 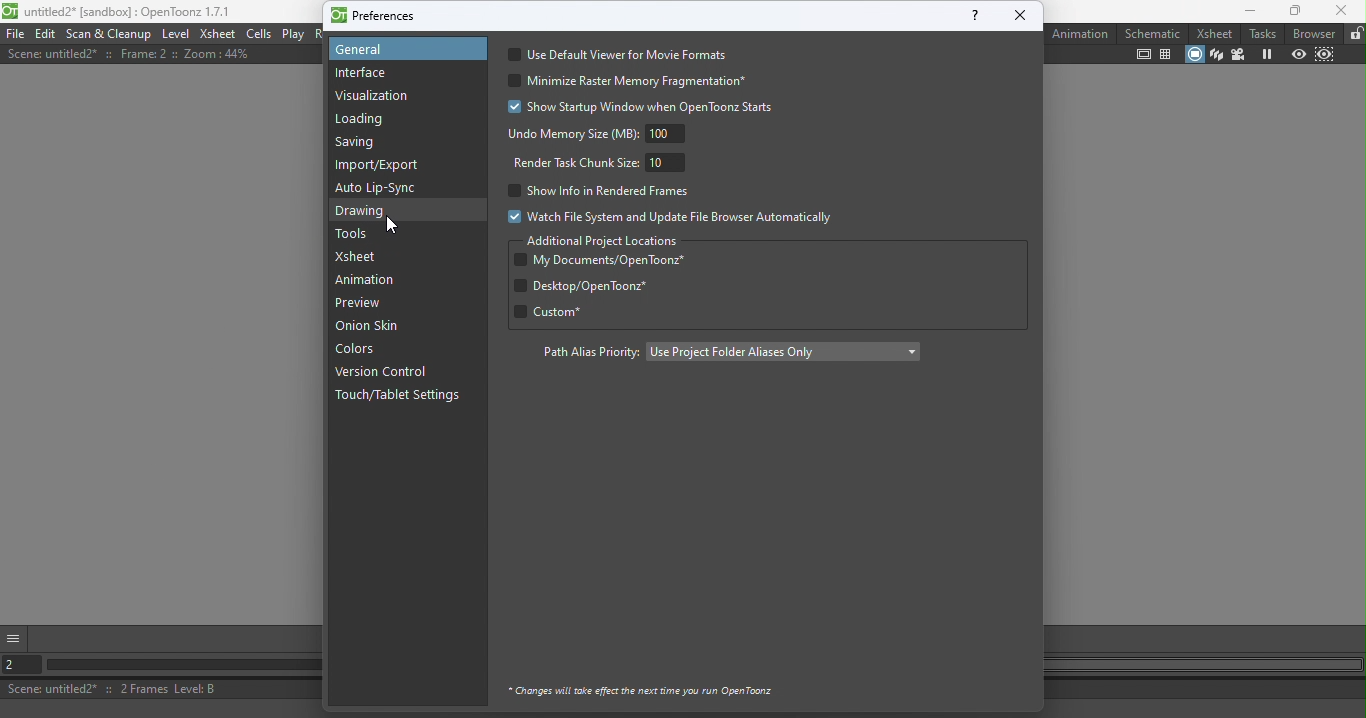 I want to click on untitled2* [sandbox] : OpenToonz 1.7.1, so click(x=118, y=11).